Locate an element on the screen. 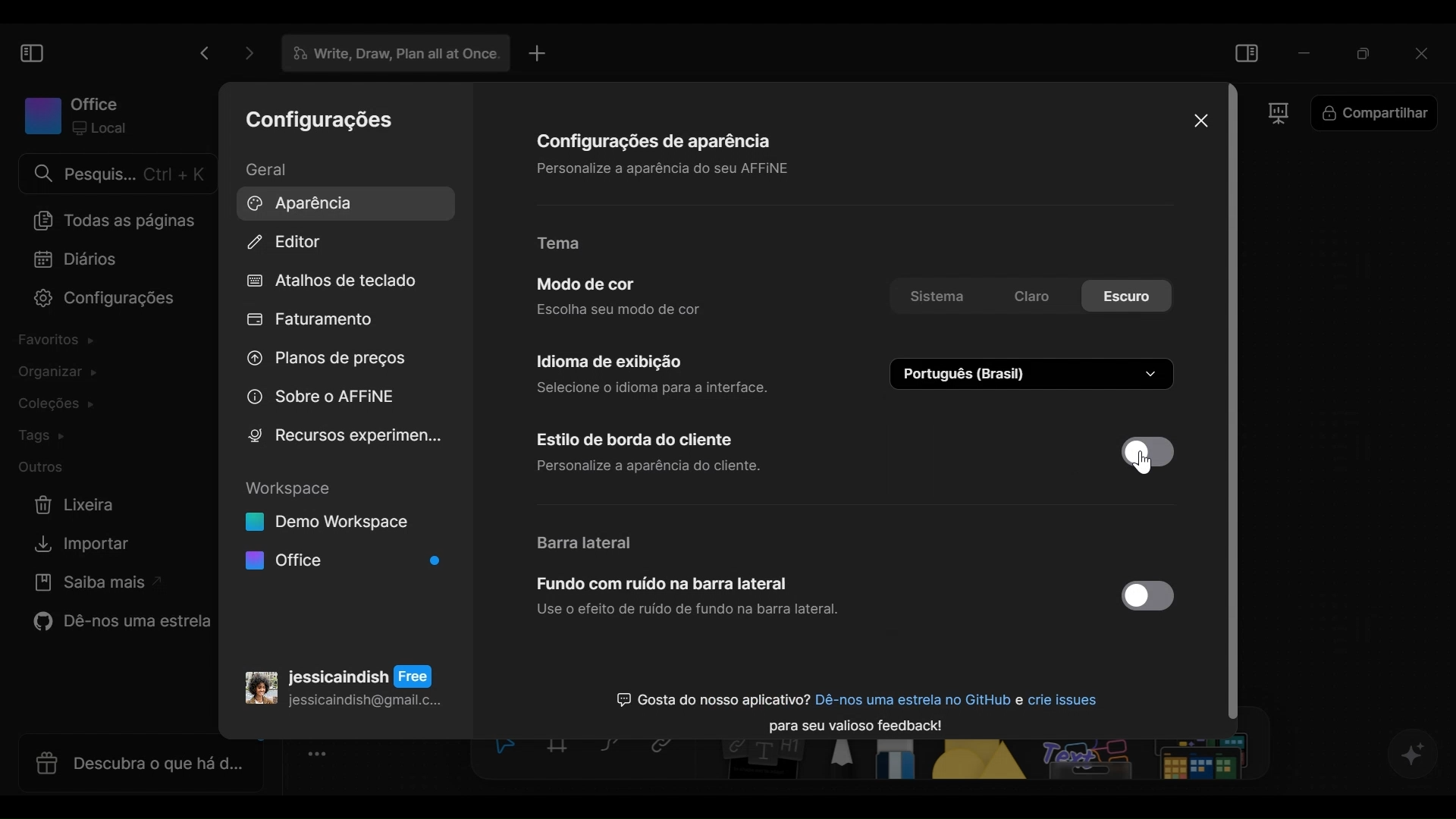  Sidebar is located at coordinates (588, 542).